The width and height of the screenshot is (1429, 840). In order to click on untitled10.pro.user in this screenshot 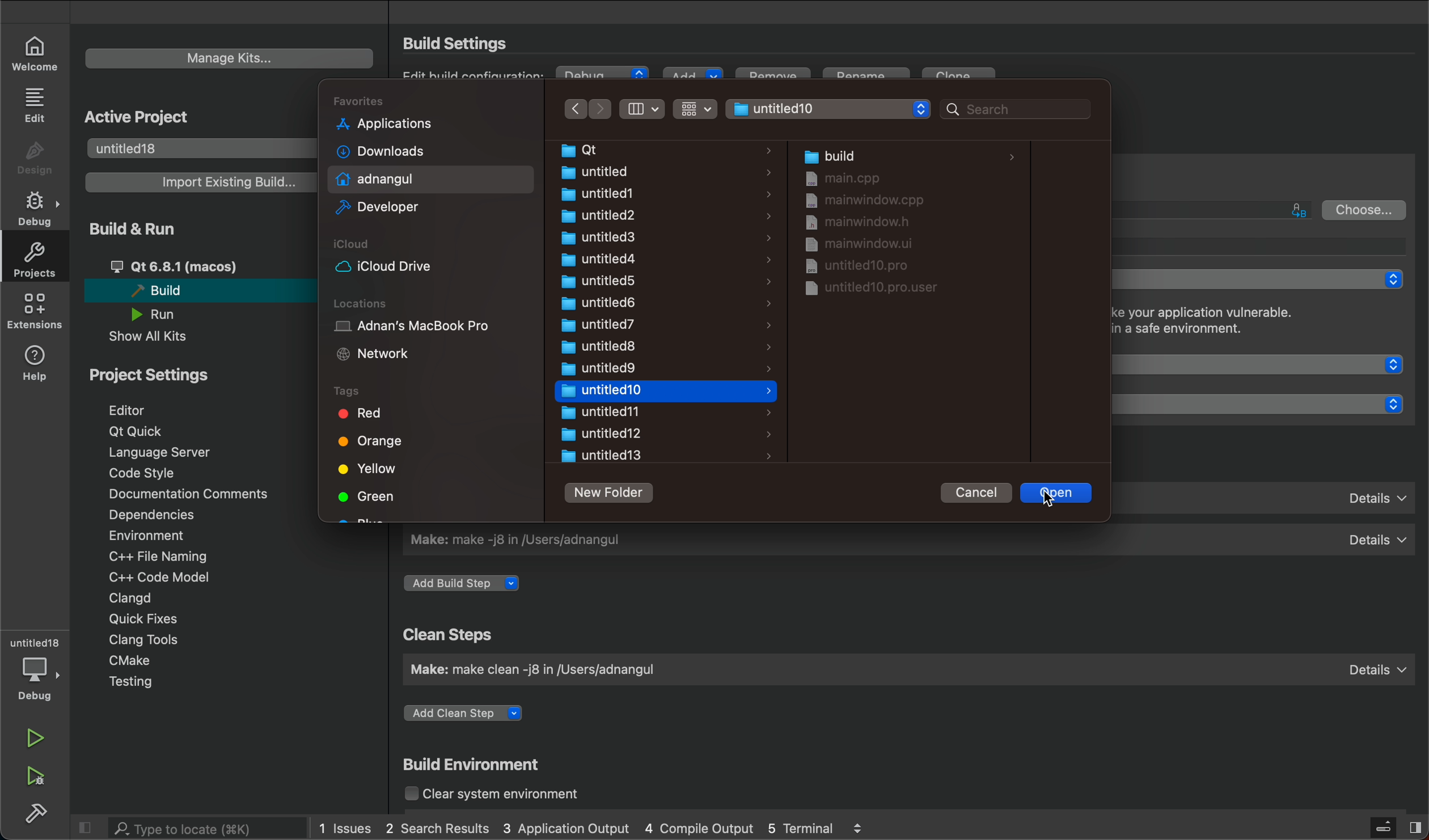, I will do `click(871, 289)`.